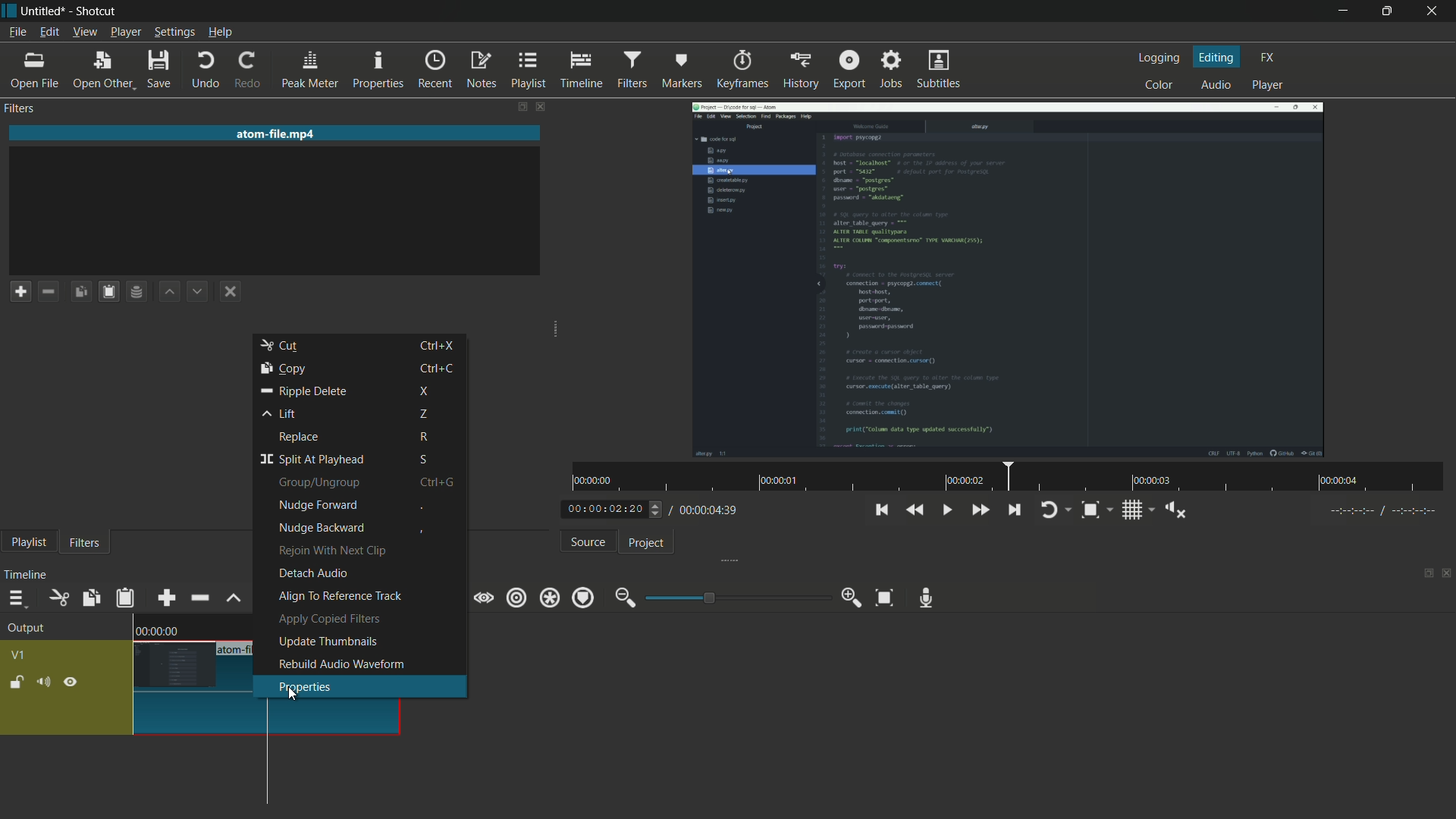 Image resolution: width=1456 pixels, height=819 pixels. Describe the element at coordinates (125, 32) in the screenshot. I see `player menu` at that location.